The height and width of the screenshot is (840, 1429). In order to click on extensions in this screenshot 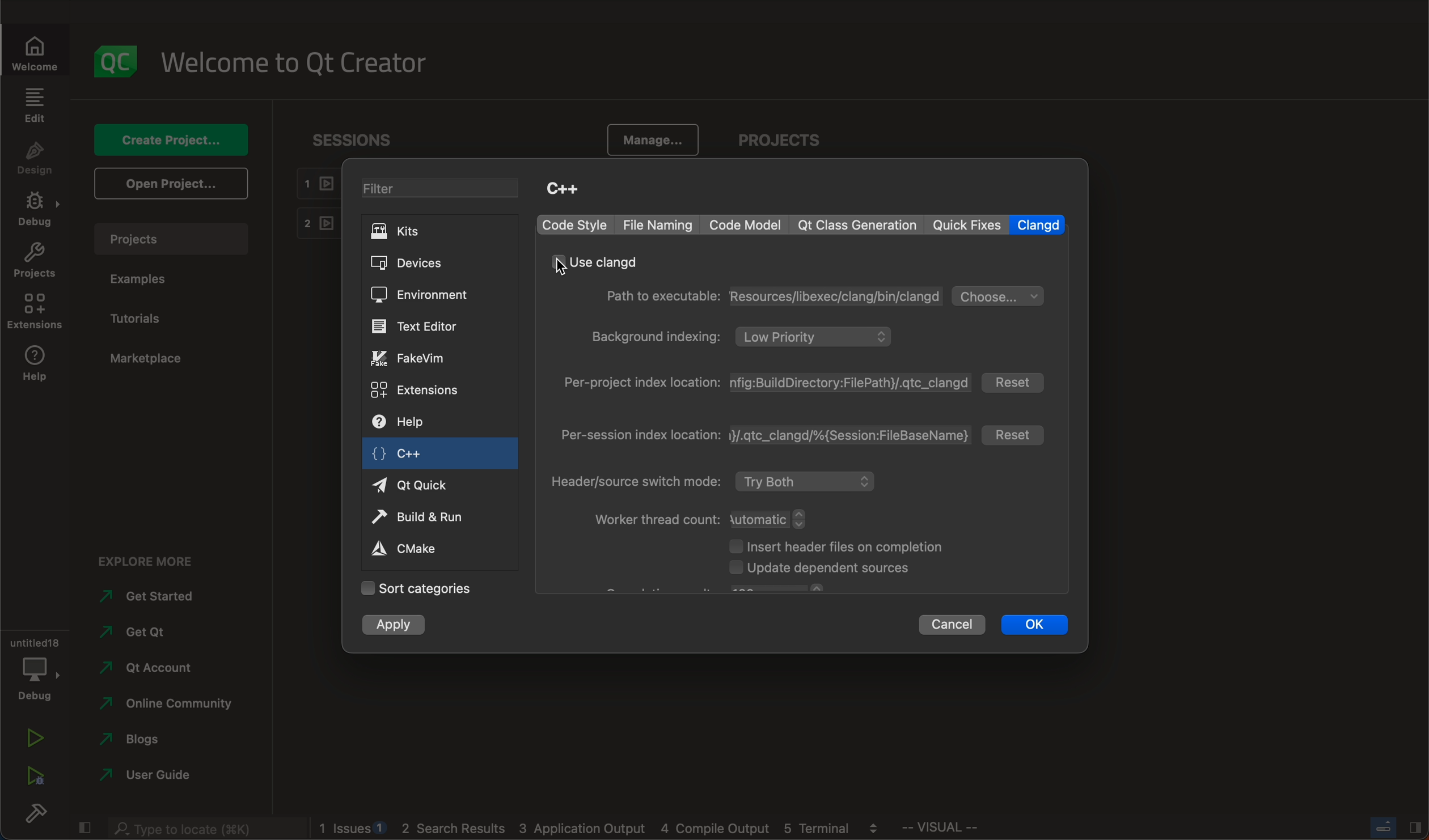, I will do `click(418, 390)`.